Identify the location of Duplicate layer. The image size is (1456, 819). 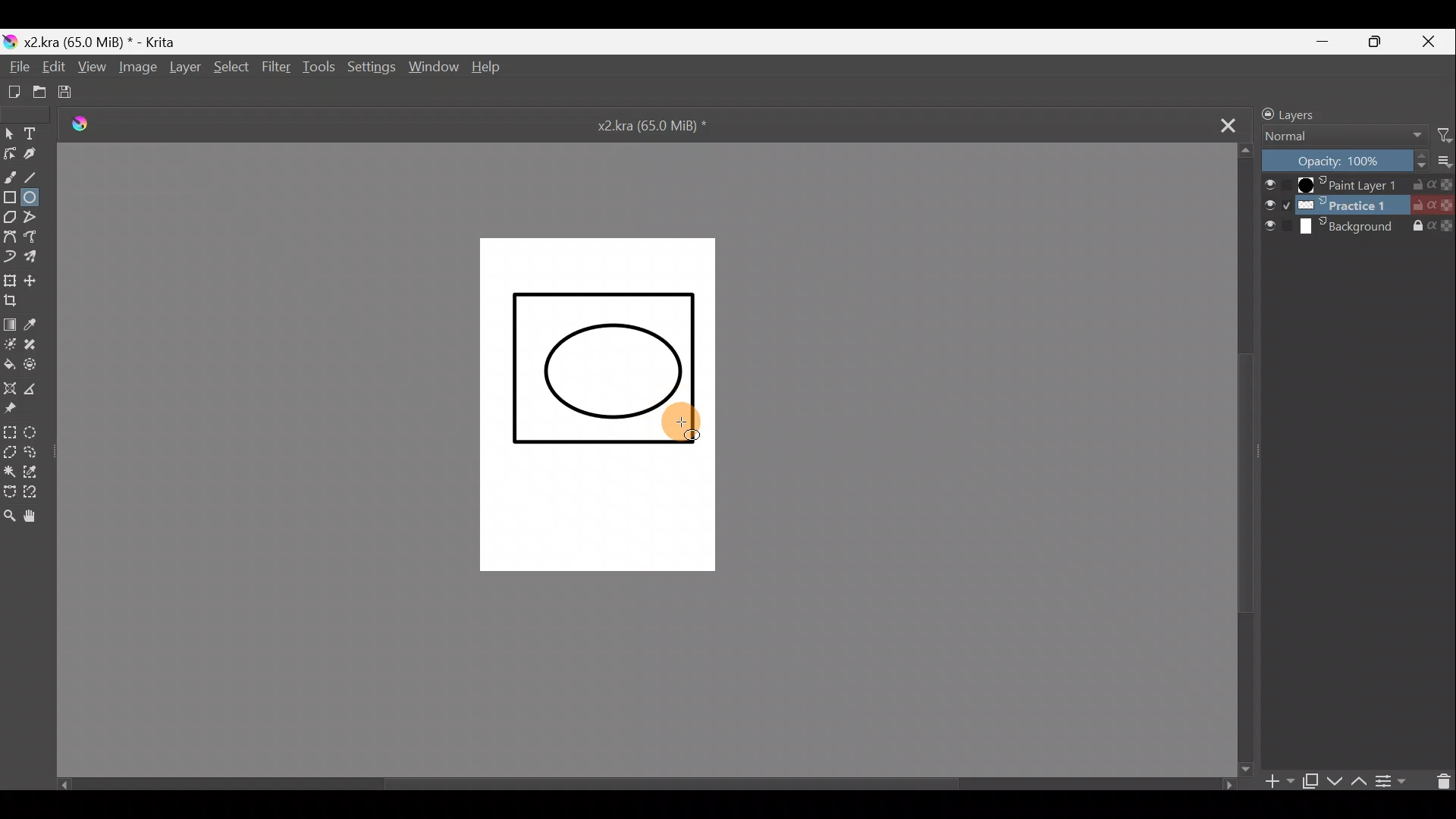
(1311, 779).